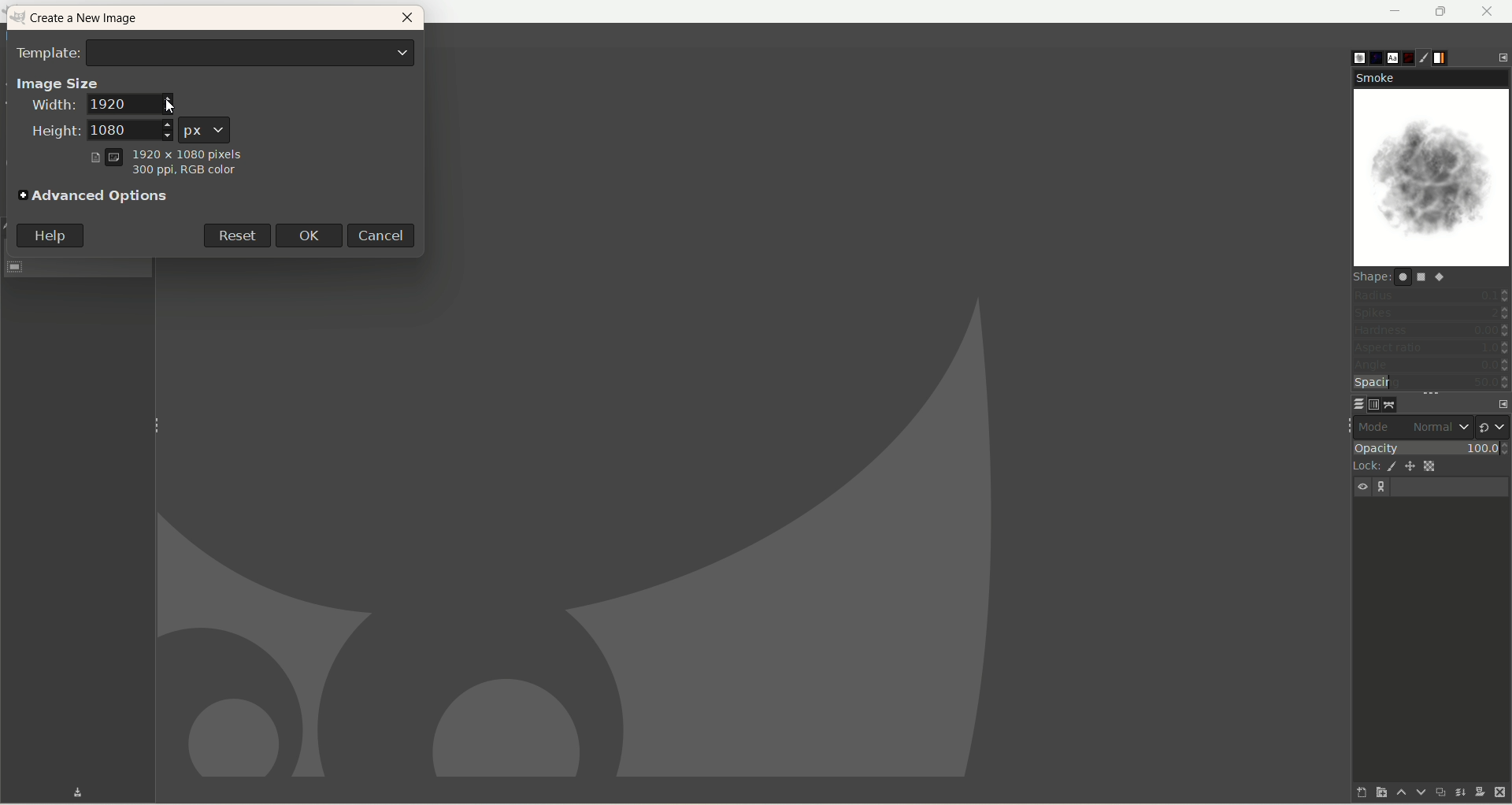 The image size is (1512, 805). What do you see at coordinates (1349, 403) in the screenshot?
I see `layers` at bounding box center [1349, 403].